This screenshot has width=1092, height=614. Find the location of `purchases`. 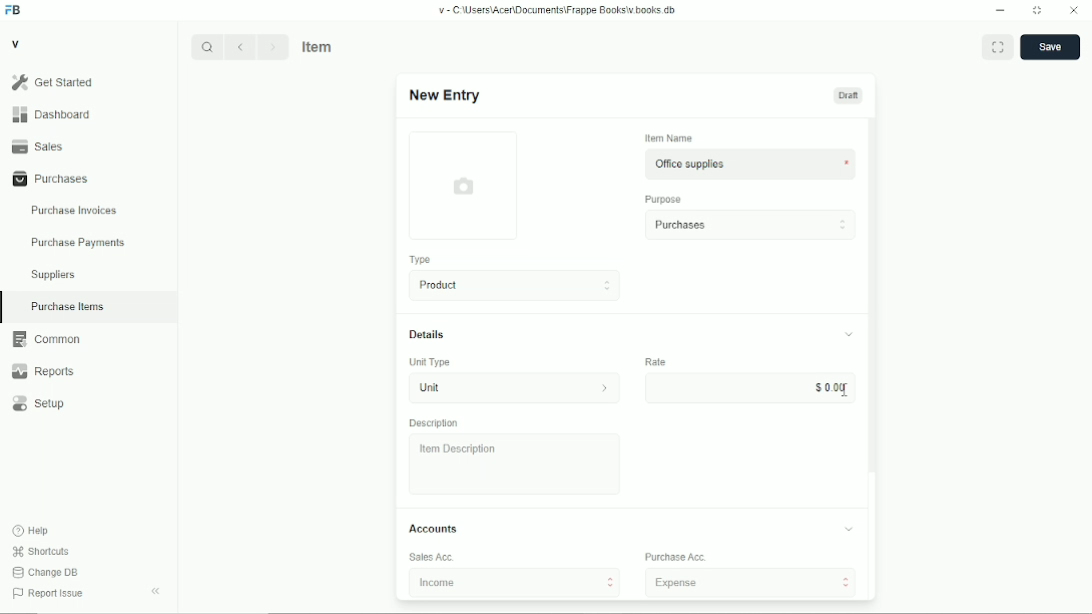

purchases is located at coordinates (750, 225).